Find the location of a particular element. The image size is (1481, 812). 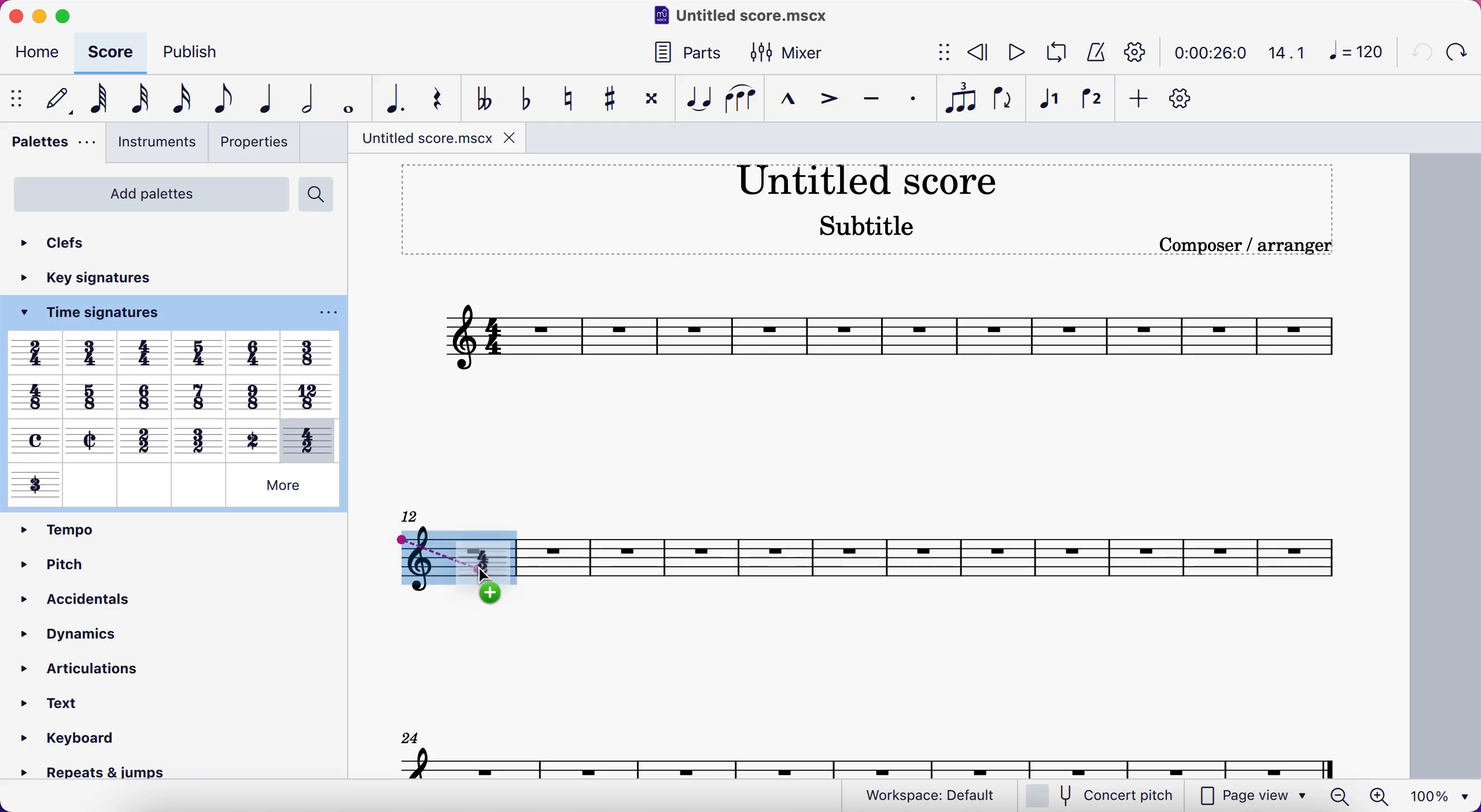

Composer / arranger is located at coordinates (1243, 245).